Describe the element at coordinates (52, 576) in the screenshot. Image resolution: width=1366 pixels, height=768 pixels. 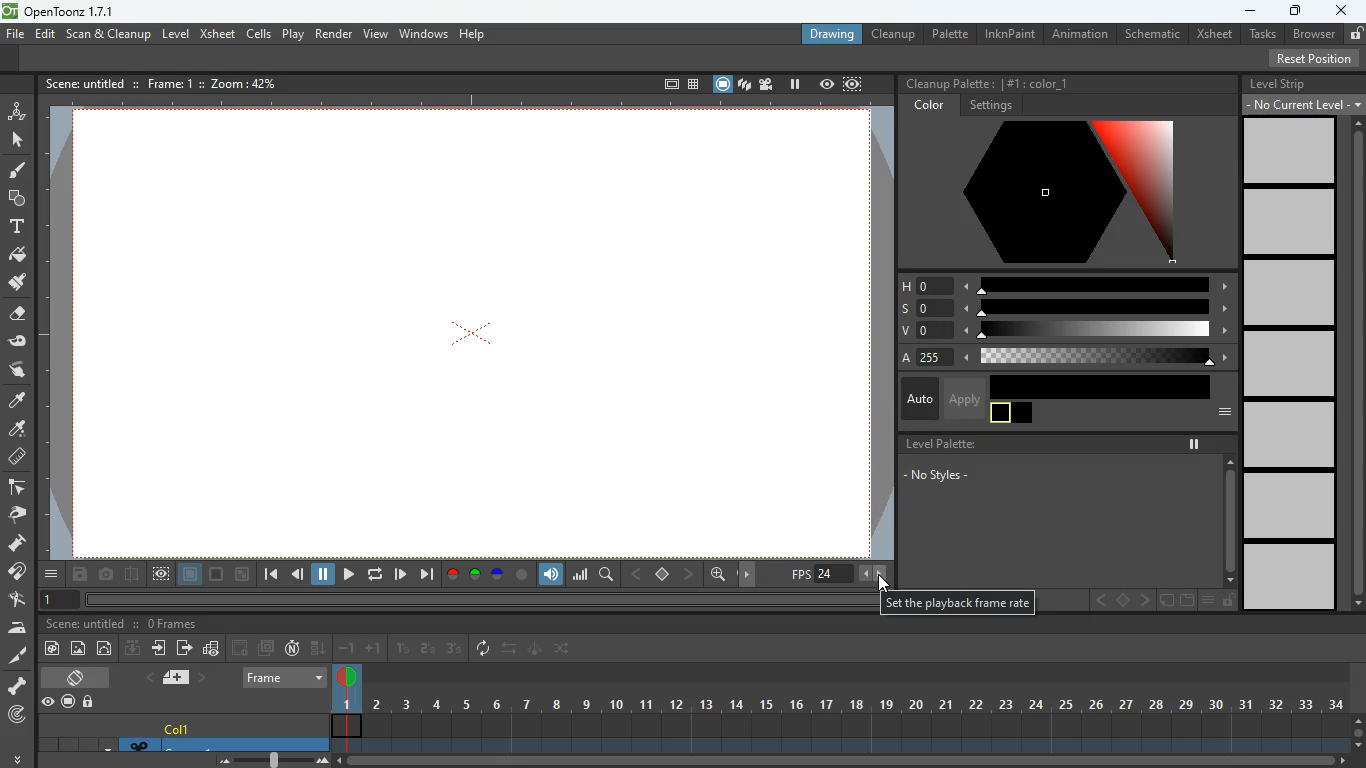
I see `menu` at that location.